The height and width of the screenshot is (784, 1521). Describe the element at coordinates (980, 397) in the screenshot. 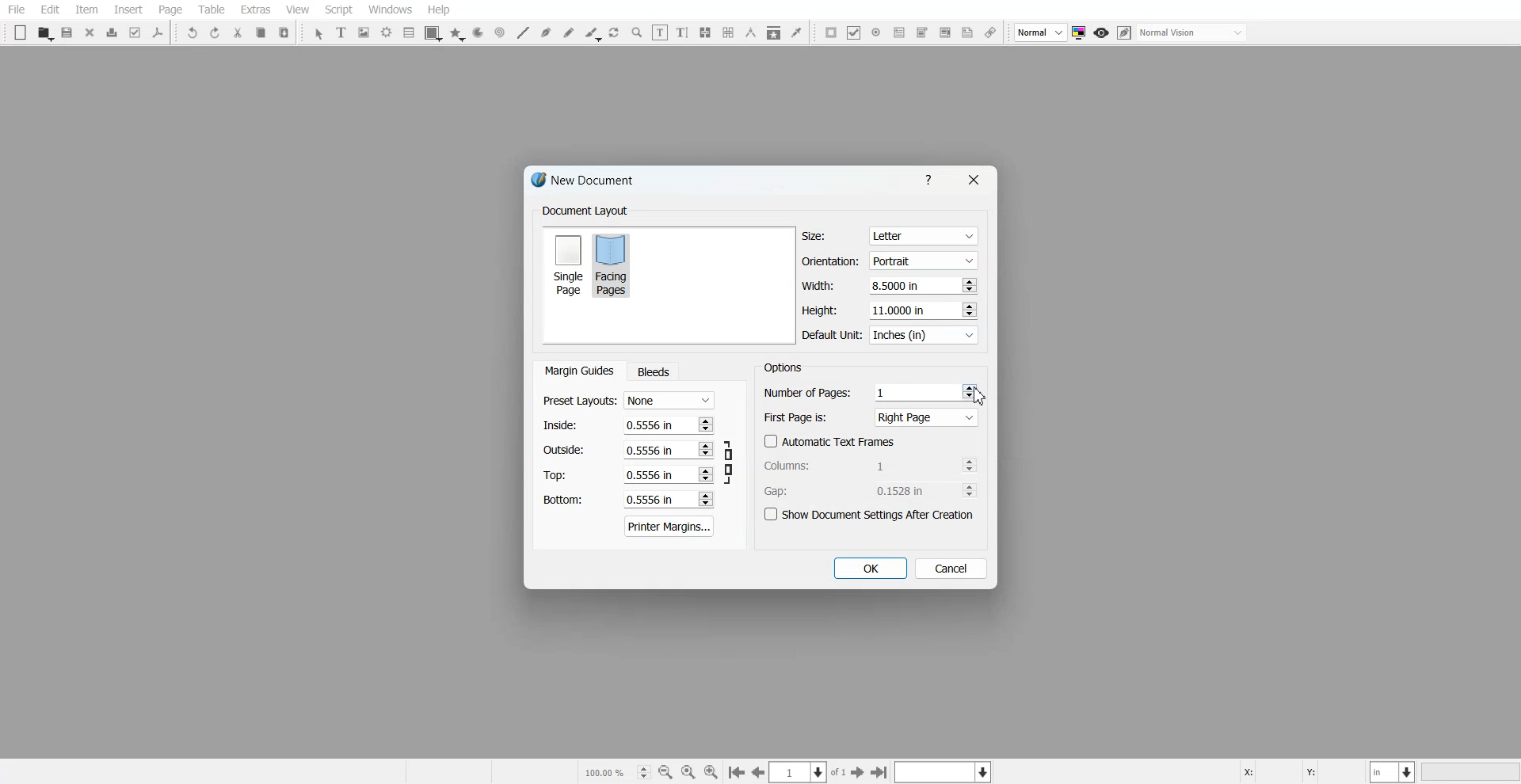

I see `Cursor` at that location.